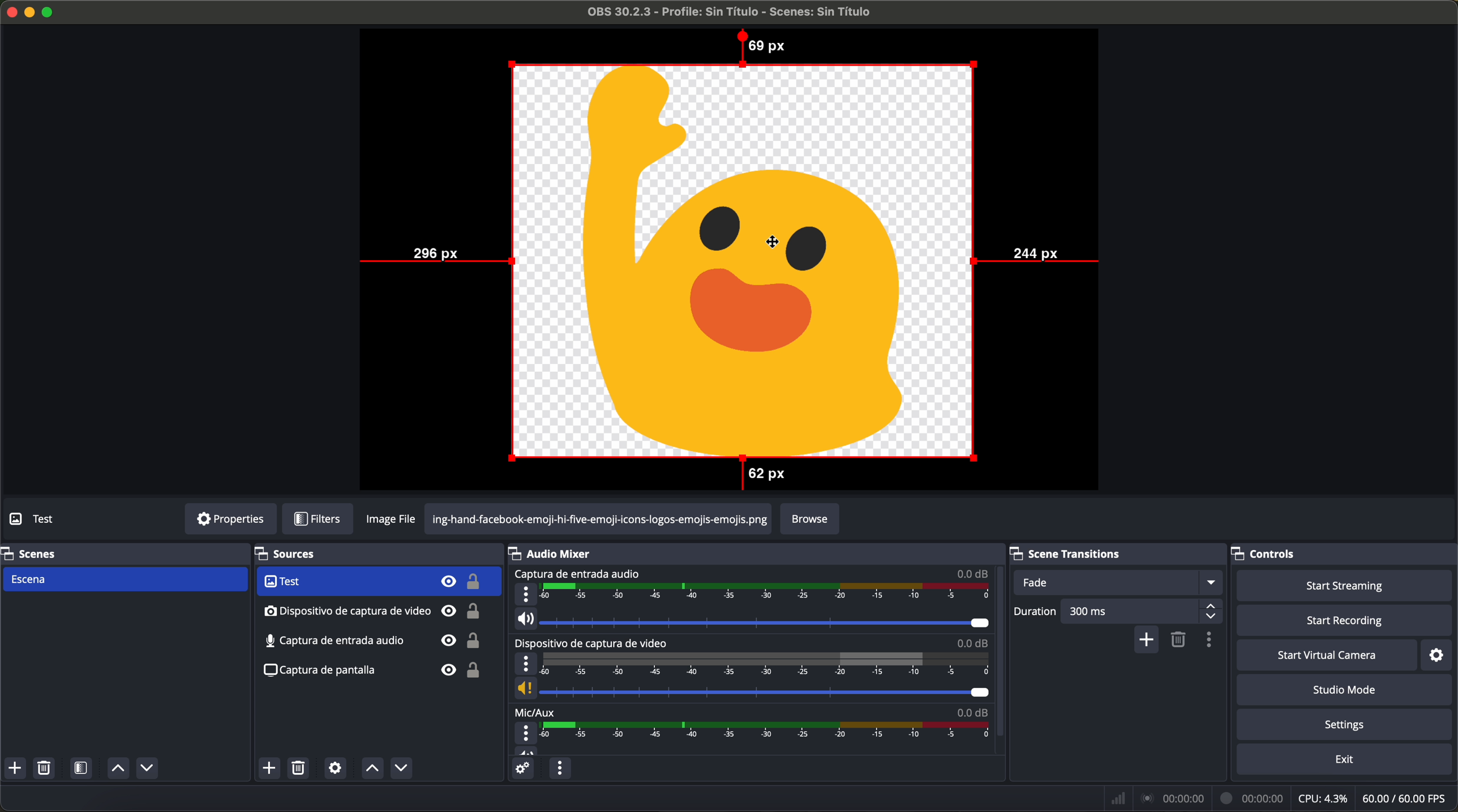  I want to click on advanced audio properties, so click(522, 768).